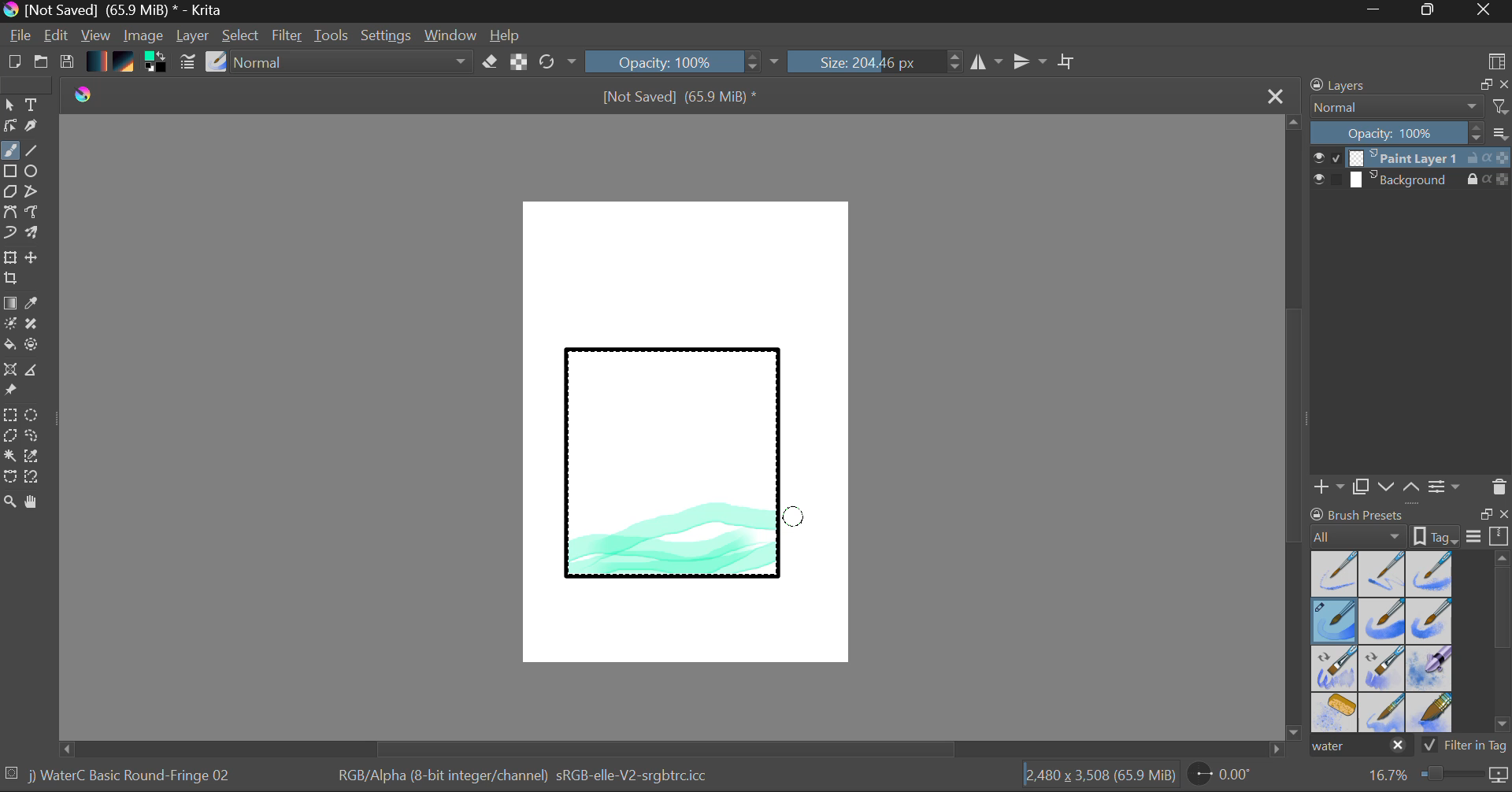  Describe the element at coordinates (506, 35) in the screenshot. I see `Help` at that location.